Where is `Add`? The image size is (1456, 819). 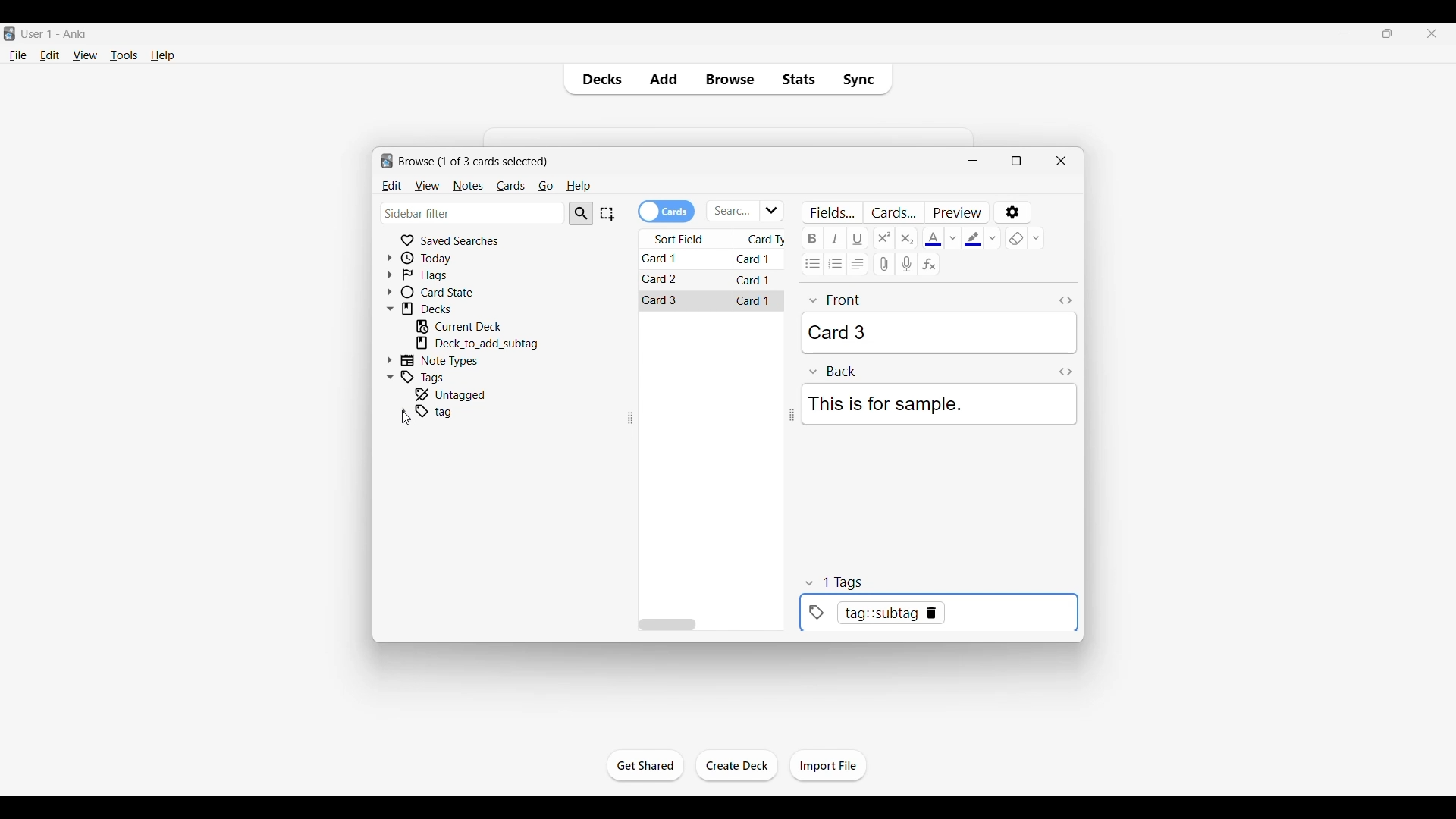
Add is located at coordinates (663, 79).